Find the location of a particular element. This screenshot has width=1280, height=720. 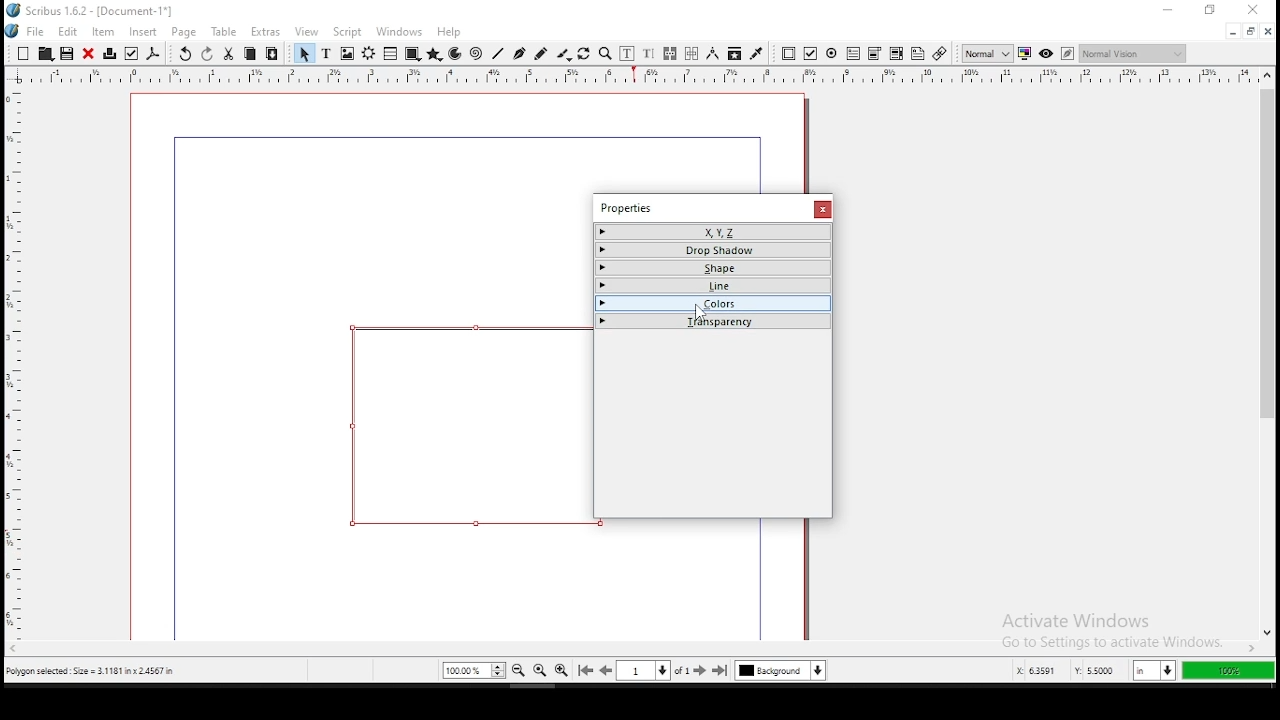

zoom in or out is located at coordinates (605, 54).